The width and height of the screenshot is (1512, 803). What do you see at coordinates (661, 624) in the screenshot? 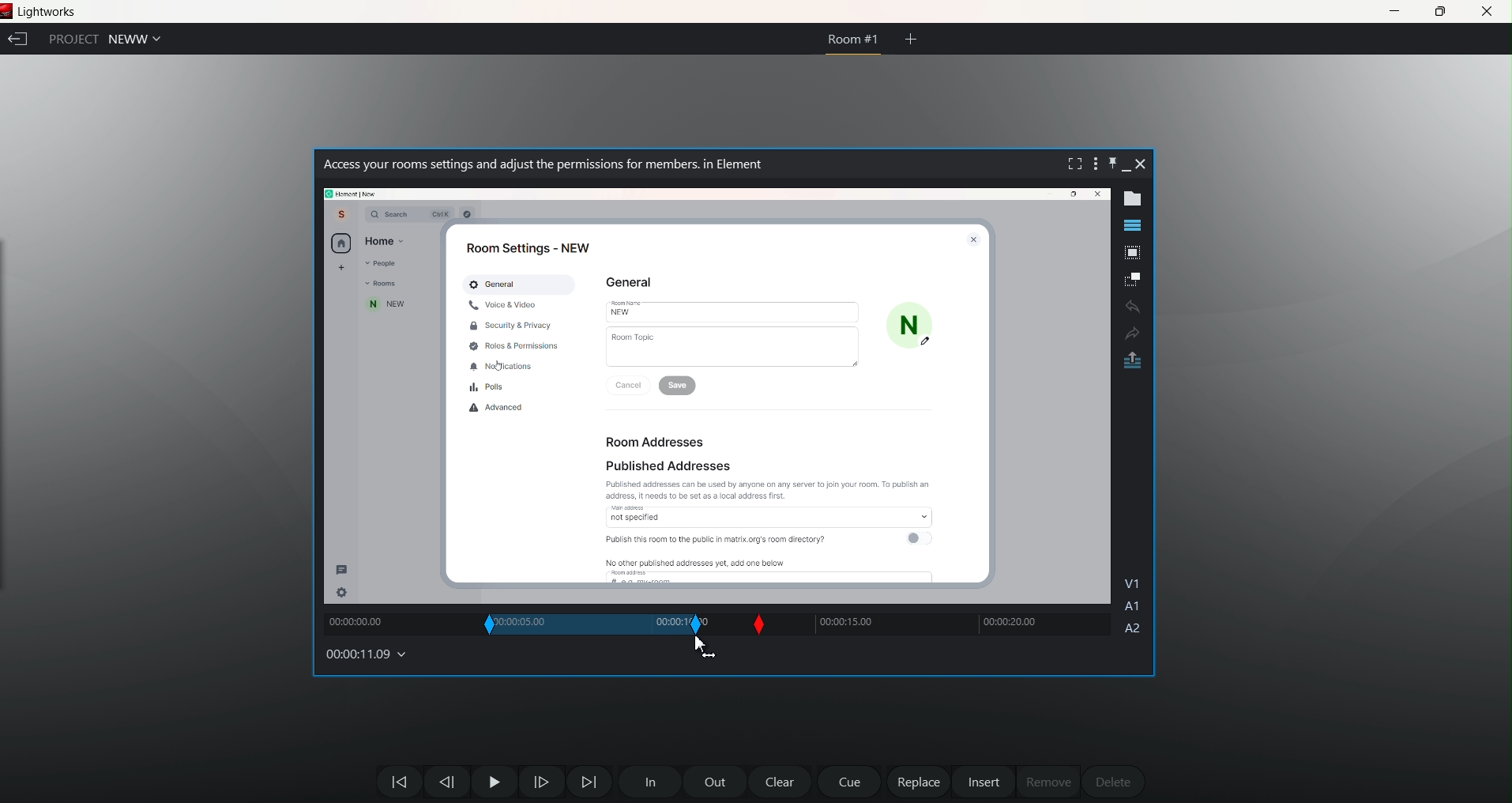
I see `track` at bounding box center [661, 624].